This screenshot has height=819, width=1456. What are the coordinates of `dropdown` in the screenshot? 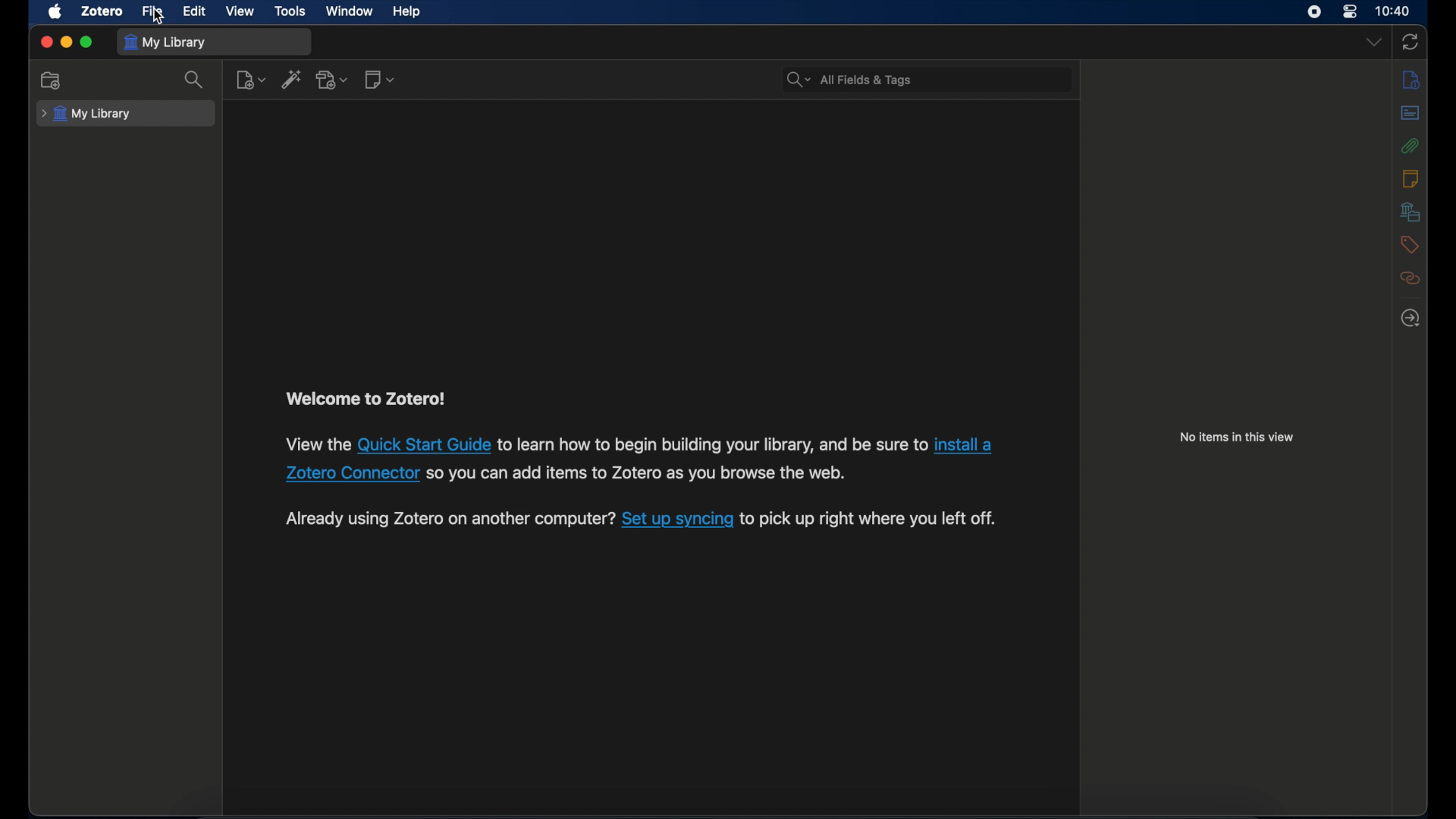 It's located at (1373, 41).